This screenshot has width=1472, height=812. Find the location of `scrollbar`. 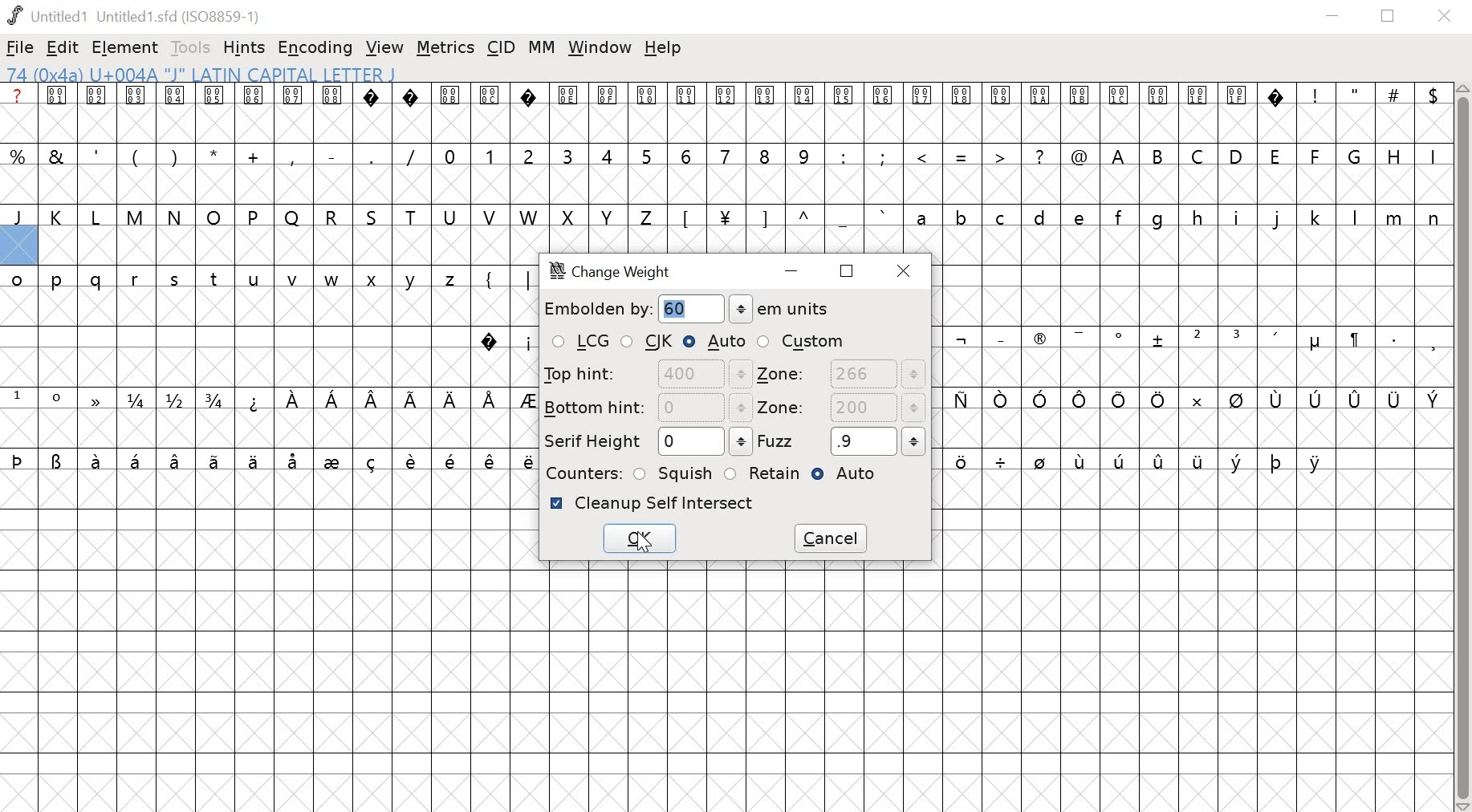

scrollbar is located at coordinates (1463, 448).